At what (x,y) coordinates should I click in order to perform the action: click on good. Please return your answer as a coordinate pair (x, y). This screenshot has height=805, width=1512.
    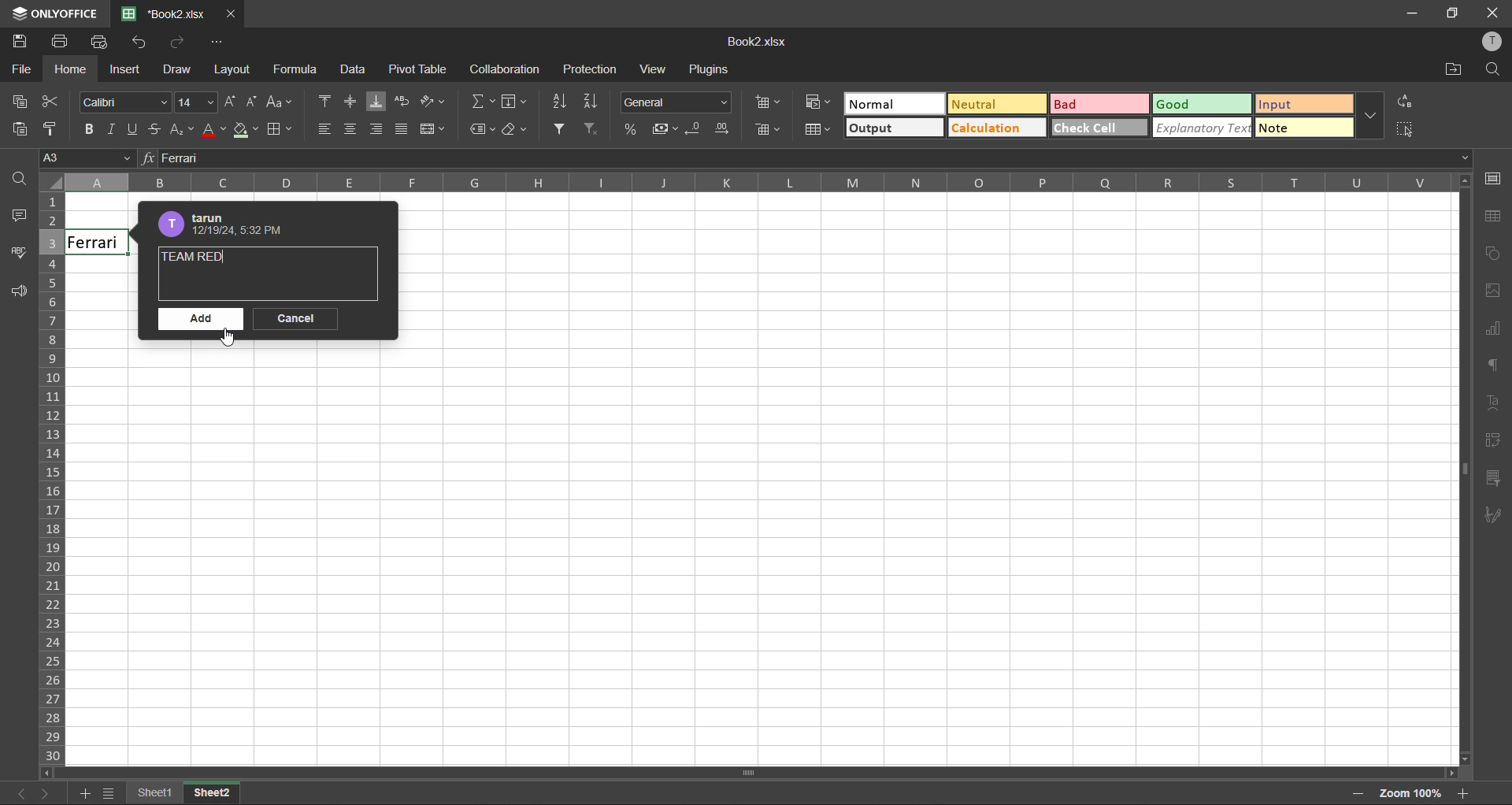
    Looking at the image, I should click on (1187, 101).